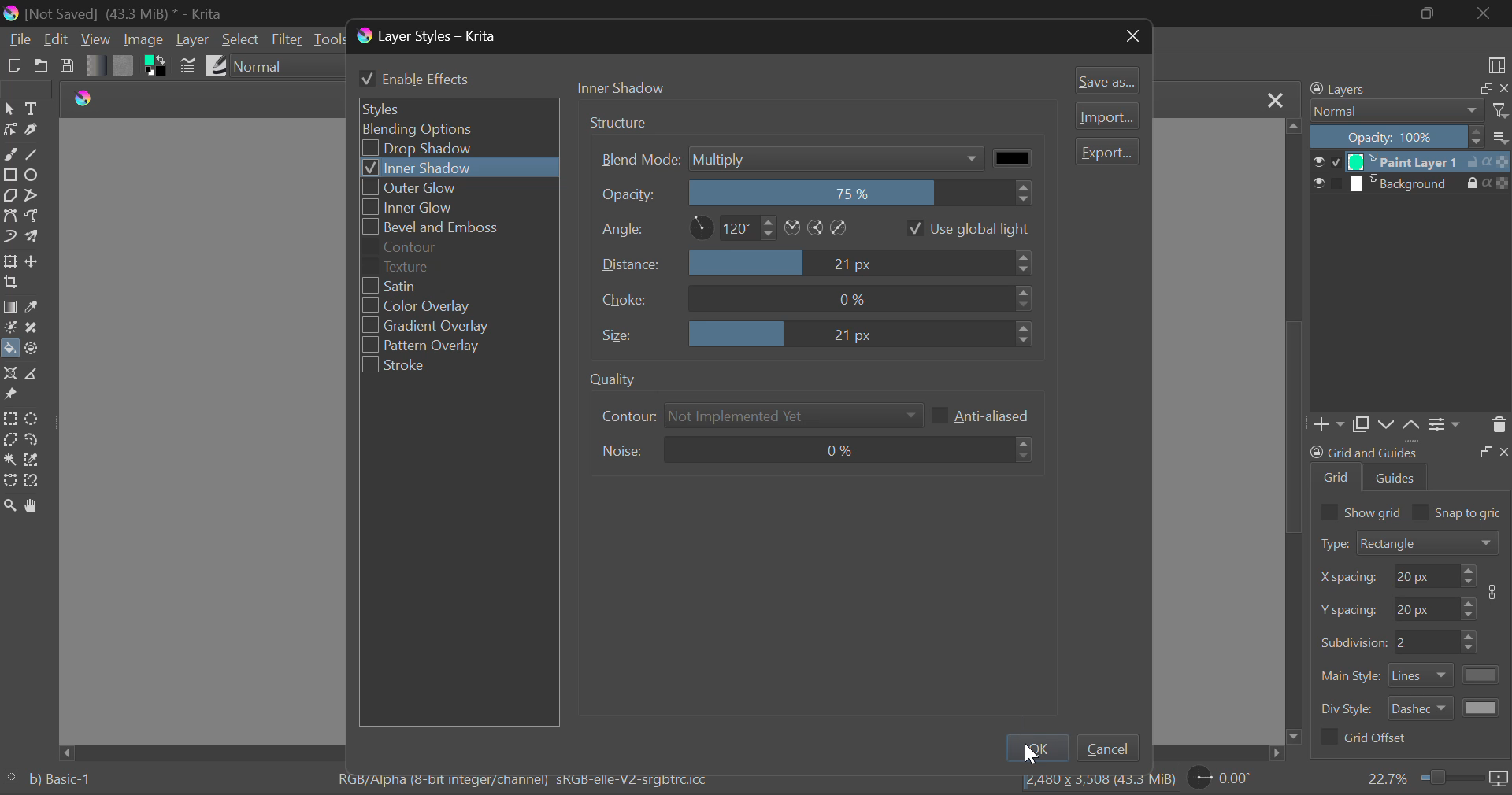 The image size is (1512, 795). I want to click on Cancel, so click(1110, 750).